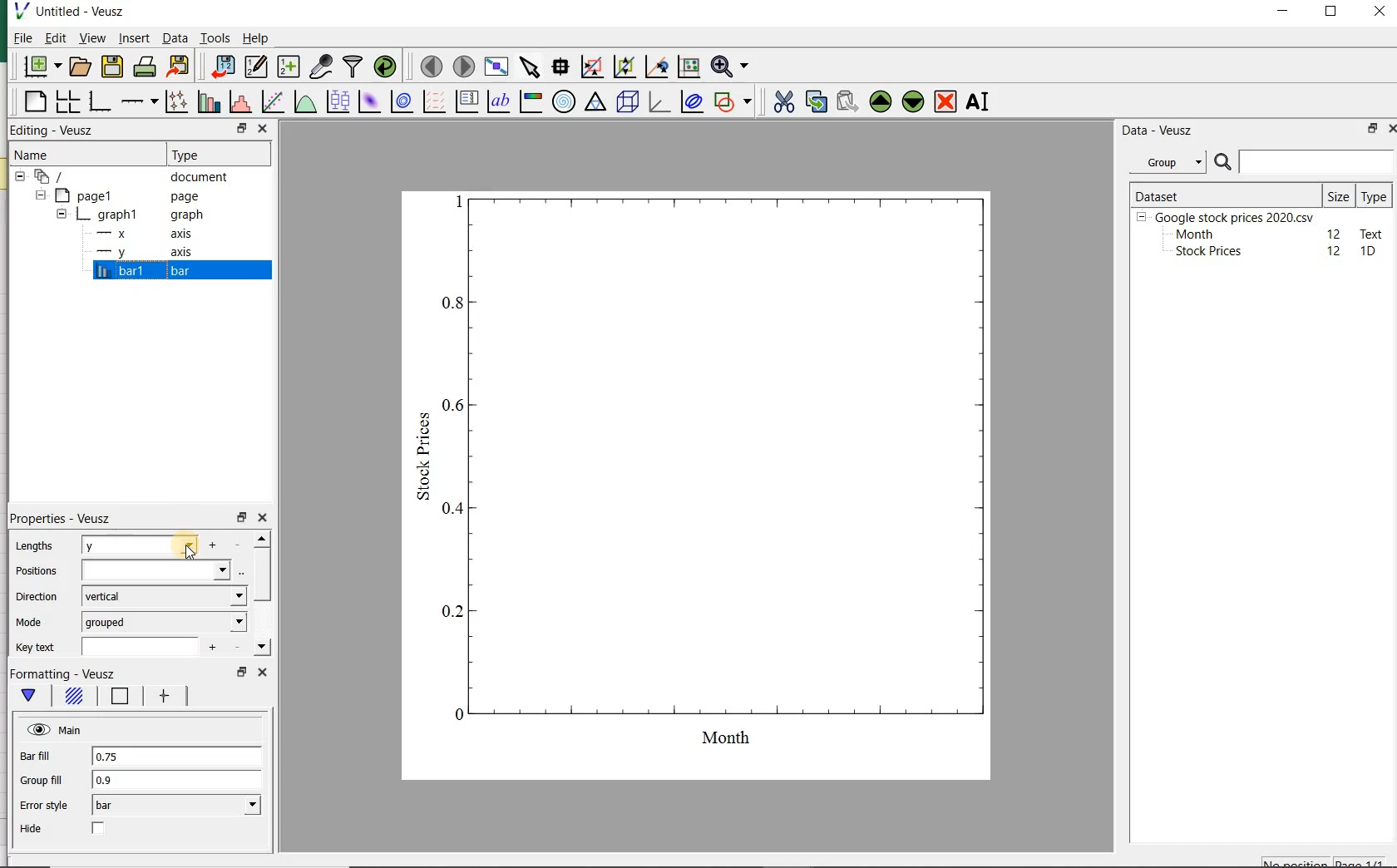 The image size is (1397, 868). I want to click on restore, so click(240, 518).